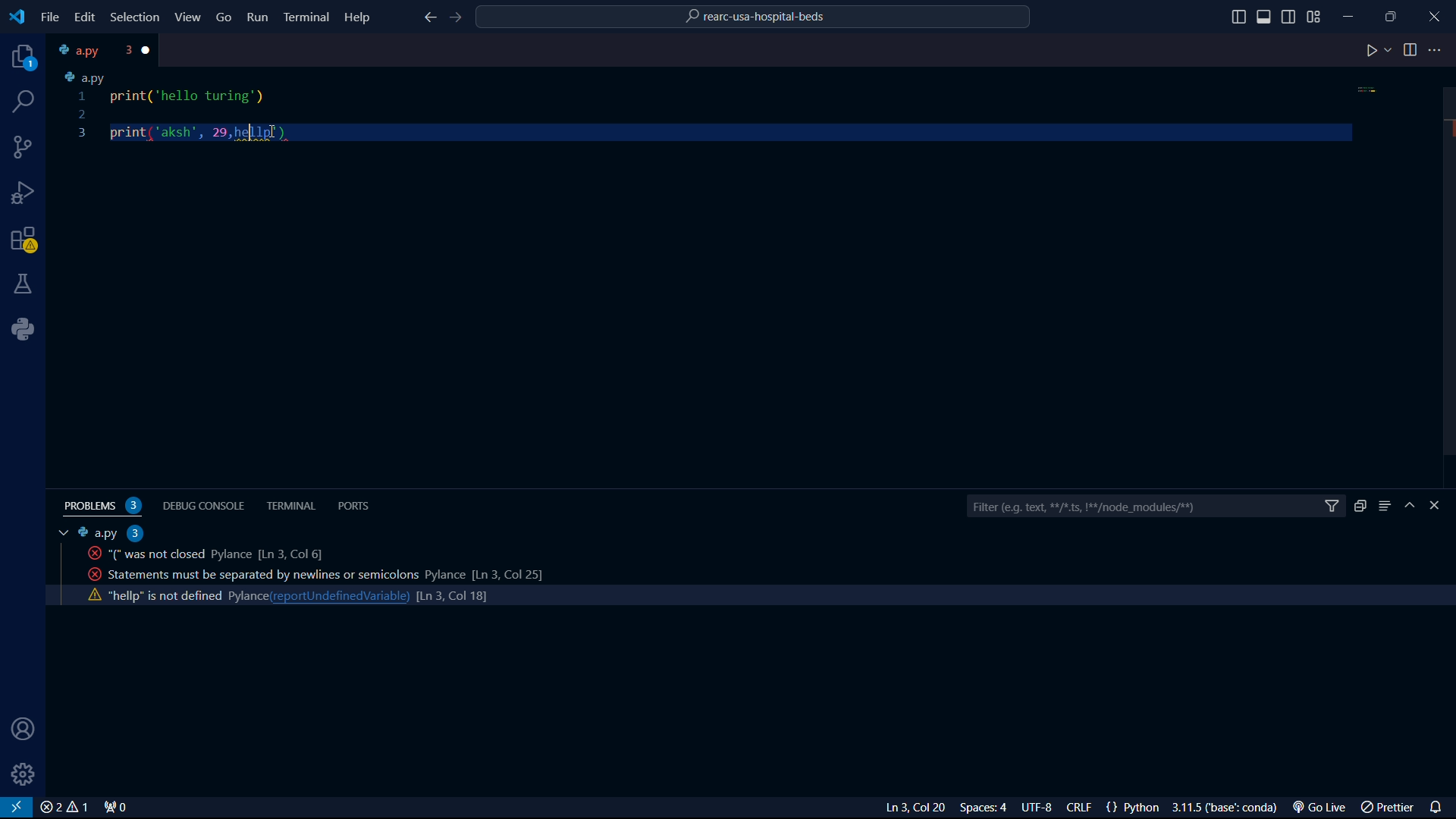 Image resolution: width=1456 pixels, height=819 pixels. What do you see at coordinates (50, 17) in the screenshot?
I see `file` at bounding box center [50, 17].